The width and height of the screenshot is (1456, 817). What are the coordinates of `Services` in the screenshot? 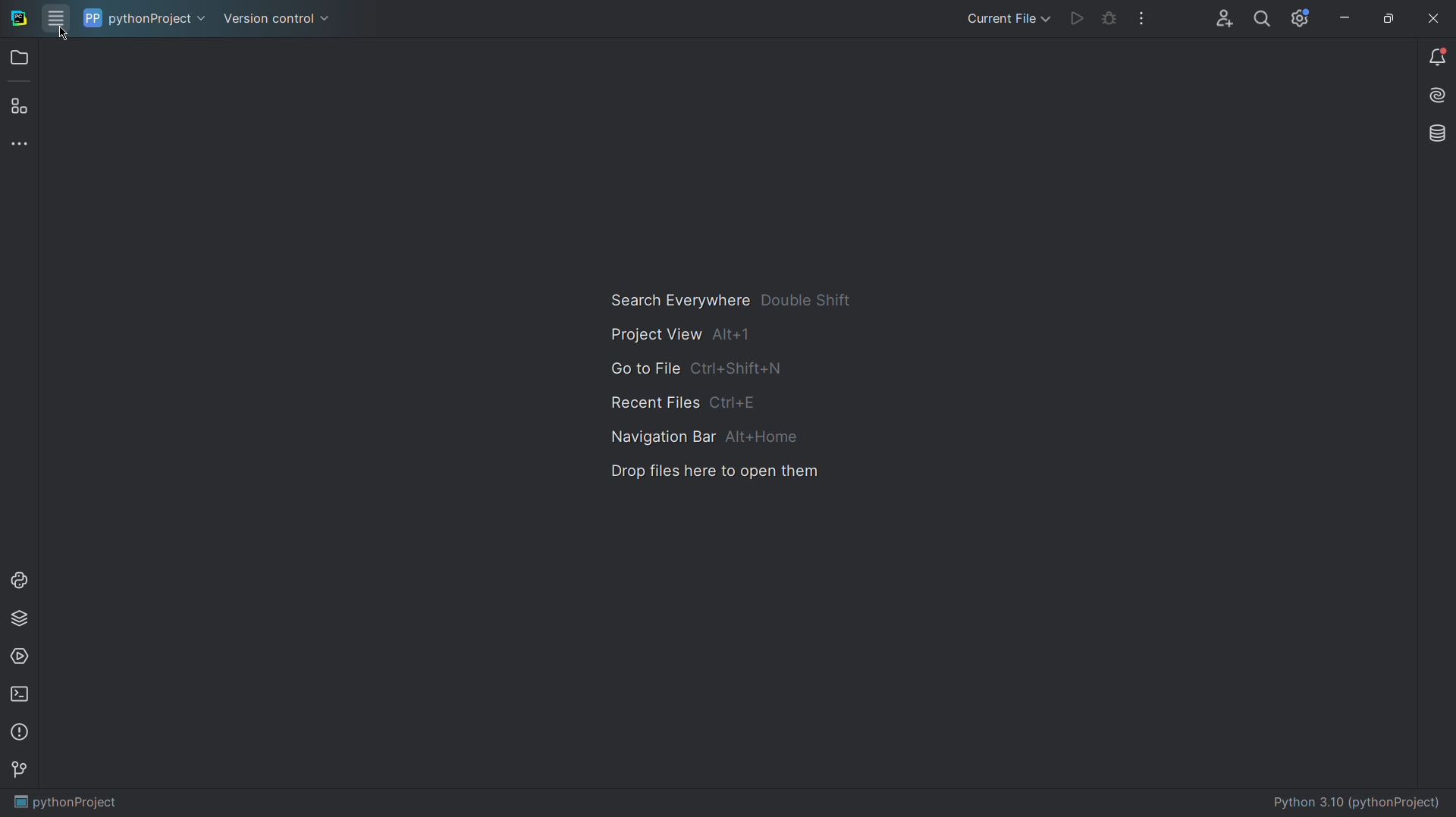 It's located at (21, 658).